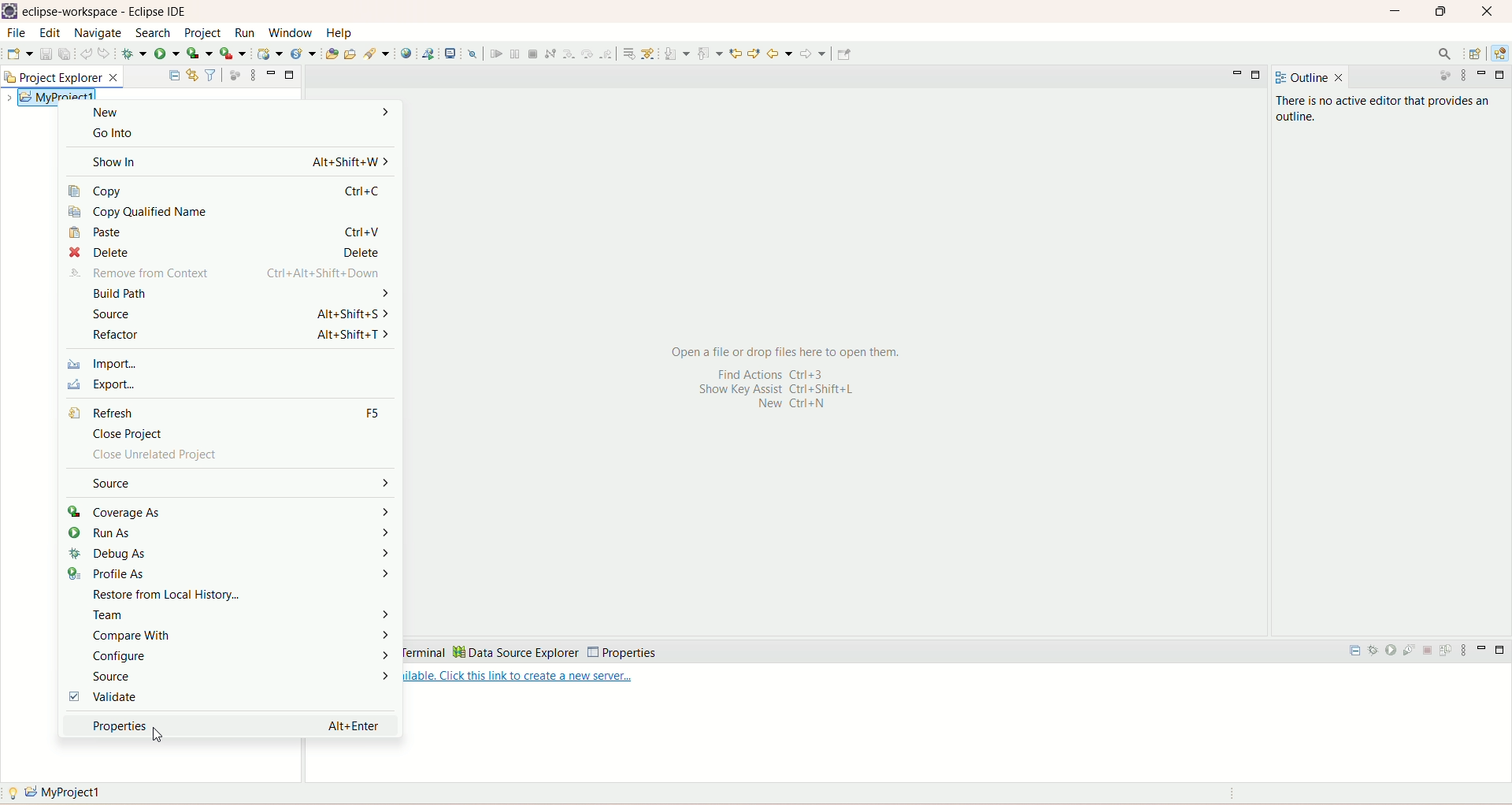 The width and height of the screenshot is (1512, 805). I want to click on minimize, so click(1480, 653).